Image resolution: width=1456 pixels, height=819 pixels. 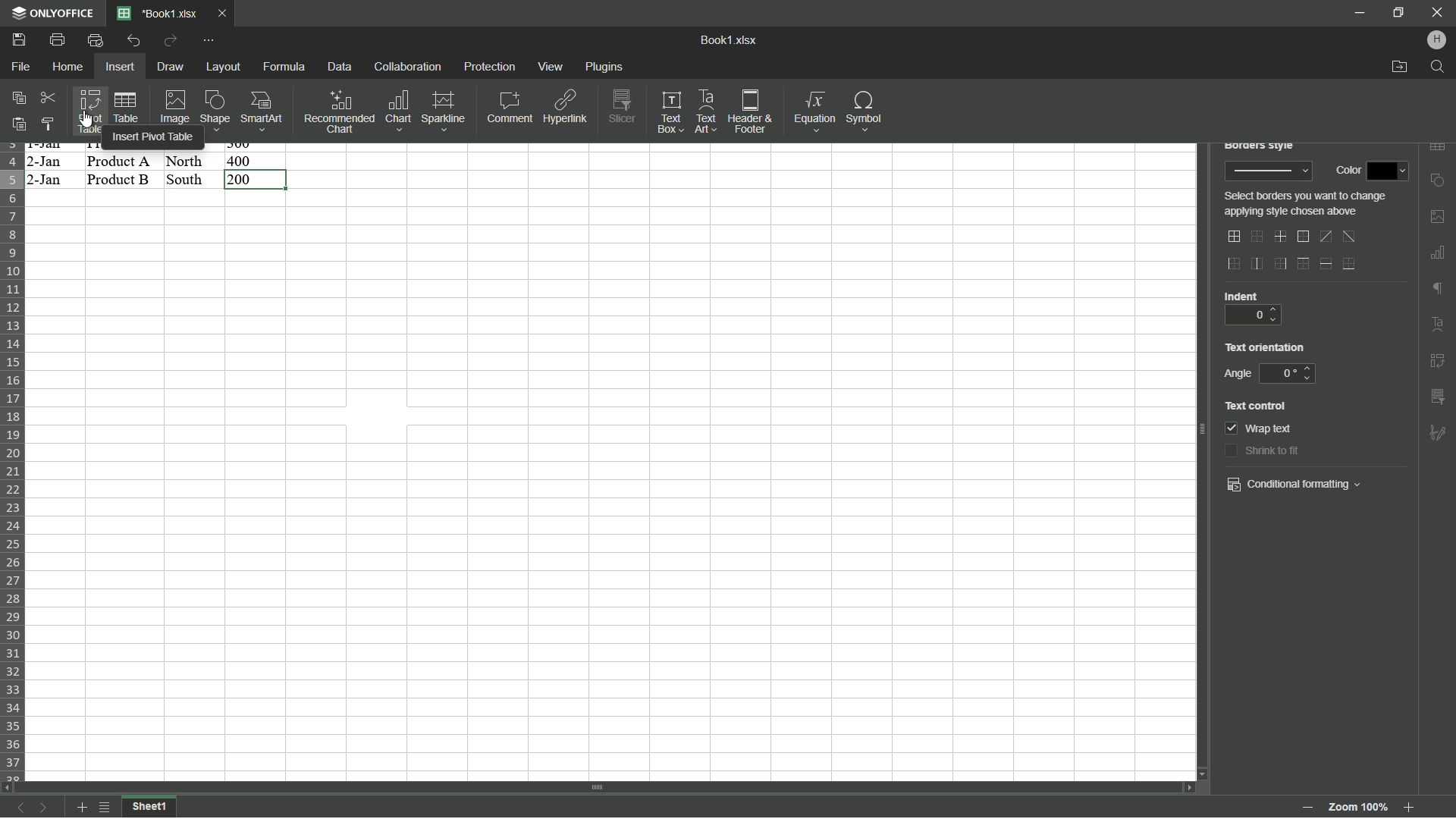 I want to click on add sheet, so click(x=80, y=808).